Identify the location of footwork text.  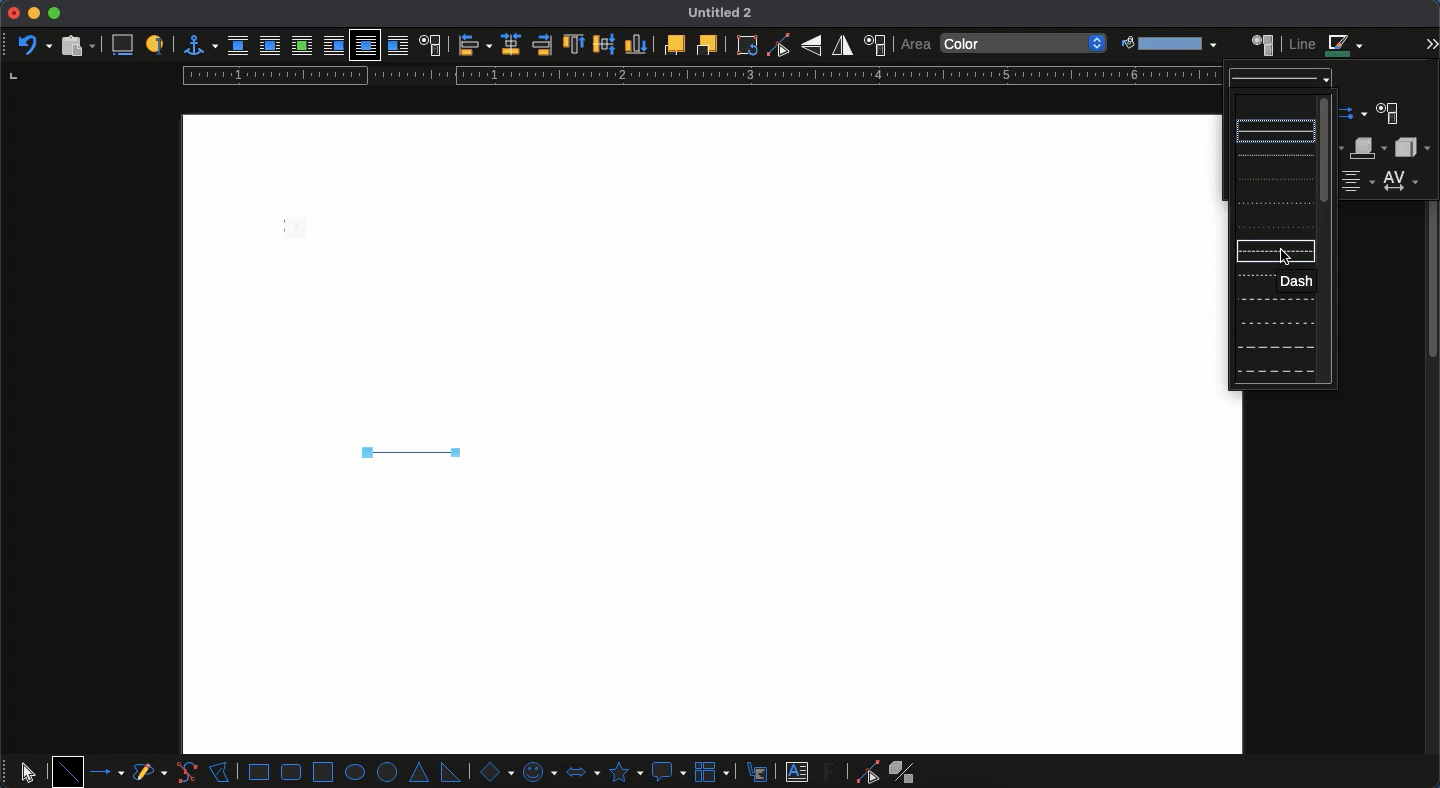
(832, 771).